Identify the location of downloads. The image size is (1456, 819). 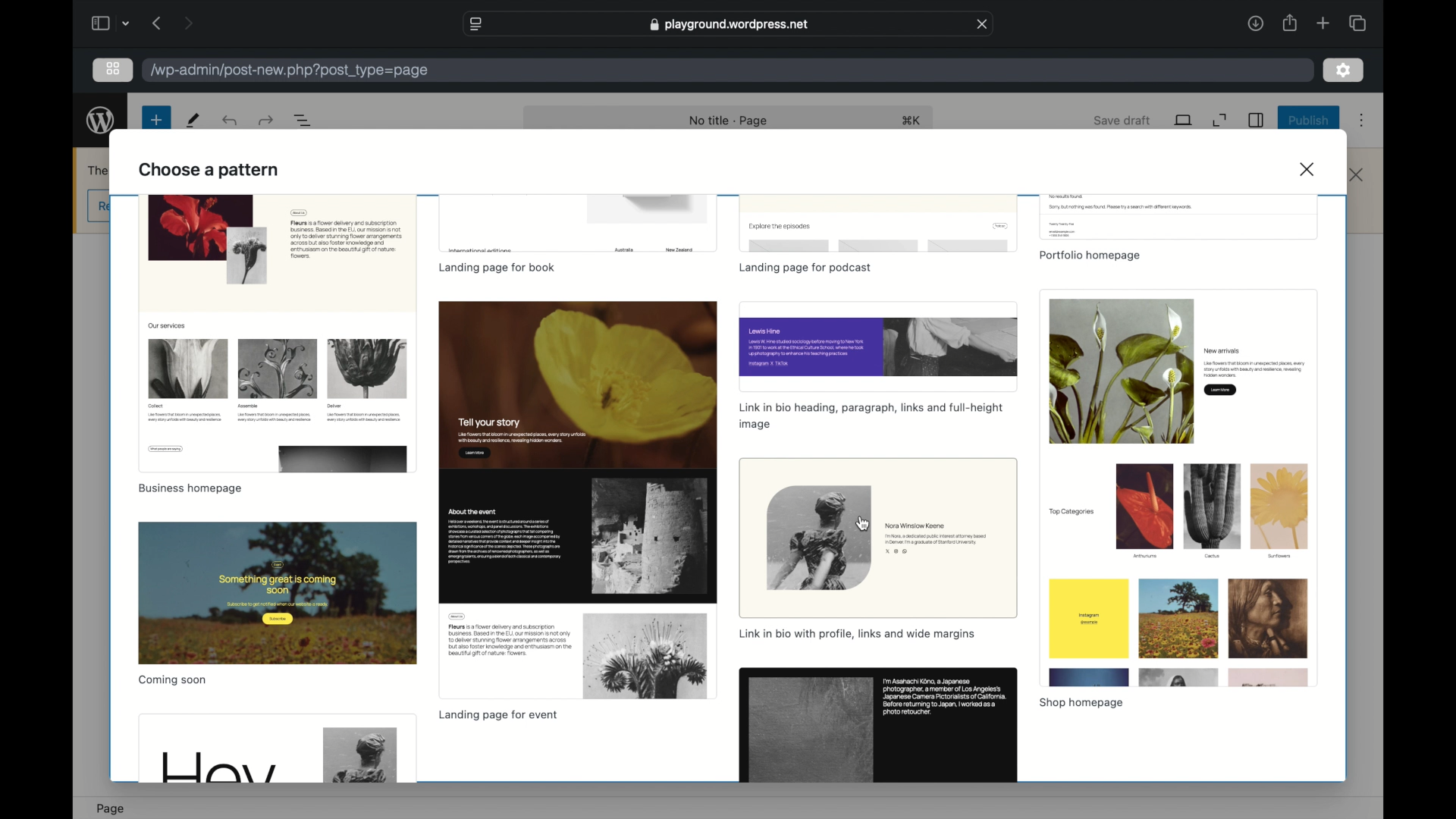
(1255, 23).